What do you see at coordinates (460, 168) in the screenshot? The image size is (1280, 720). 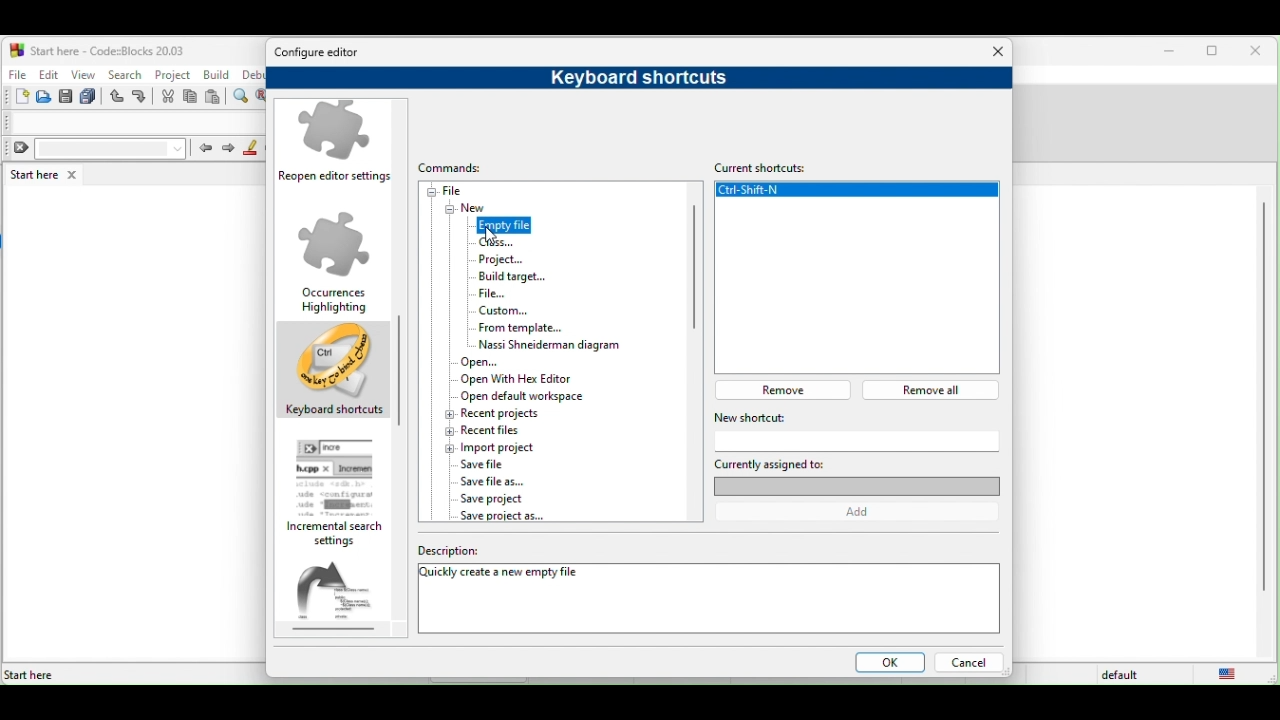 I see `Commands:` at bounding box center [460, 168].